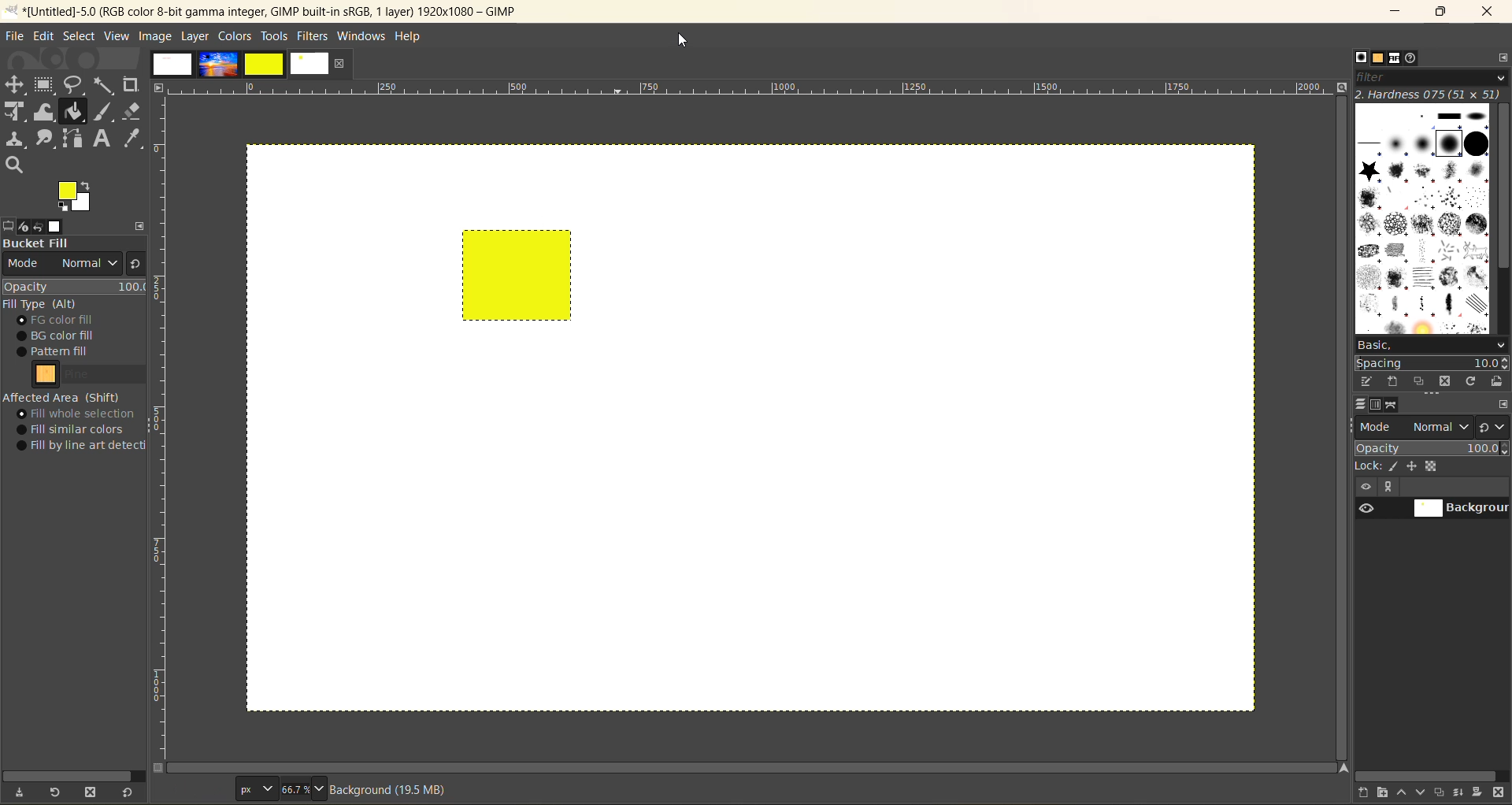 This screenshot has width=1512, height=805. I want to click on document history, so click(1413, 59).